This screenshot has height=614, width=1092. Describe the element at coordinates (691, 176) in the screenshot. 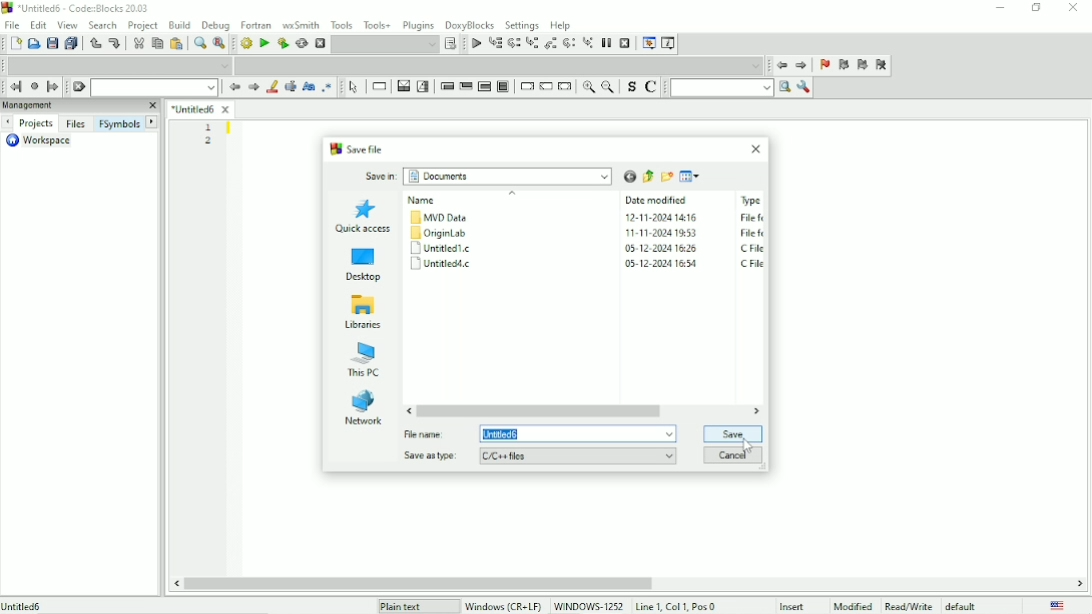

I see `View menu` at that location.